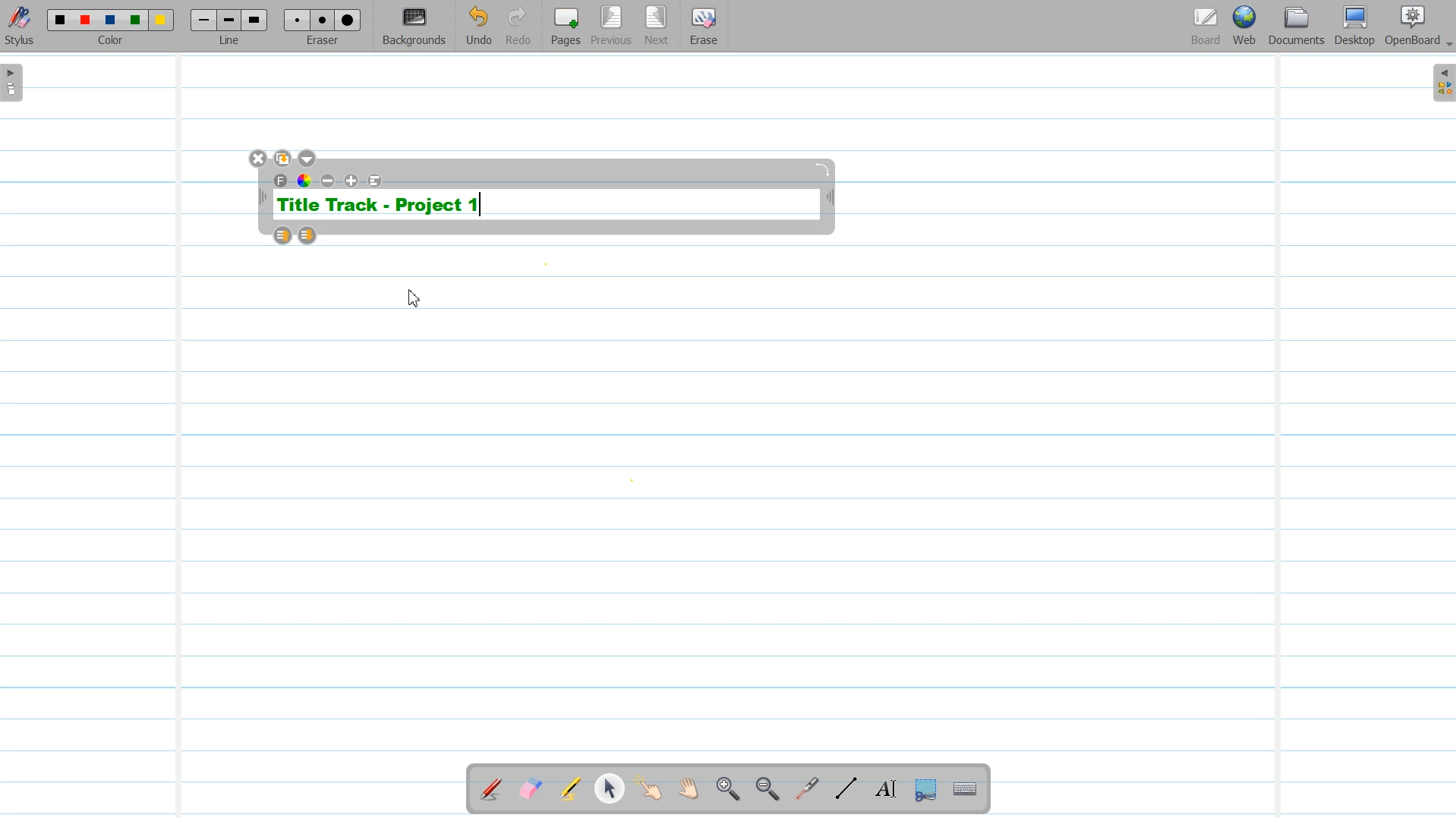 The height and width of the screenshot is (818, 1456). I want to click on Background, so click(415, 27).